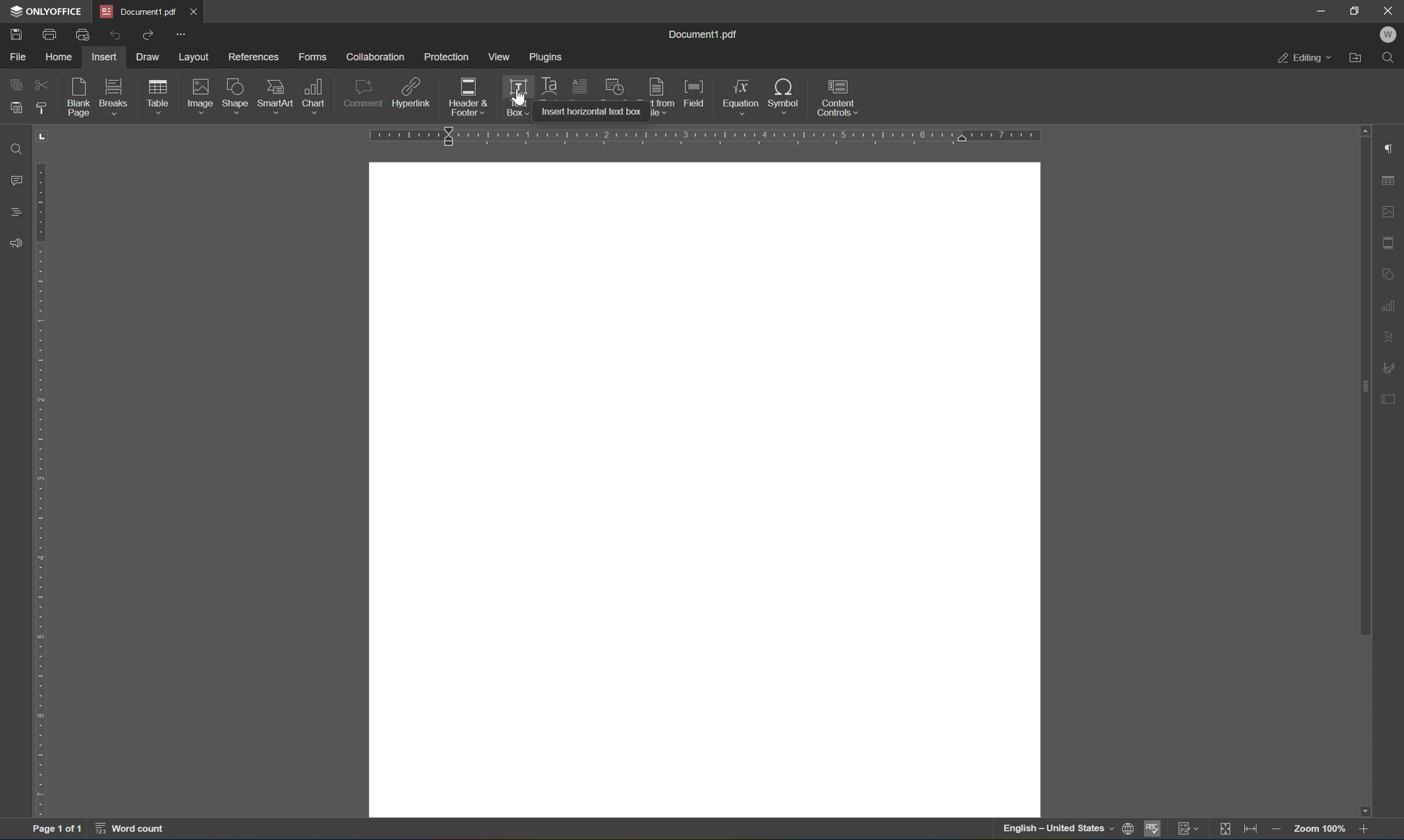 The image size is (1404, 840). I want to click on references, so click(254, 58).